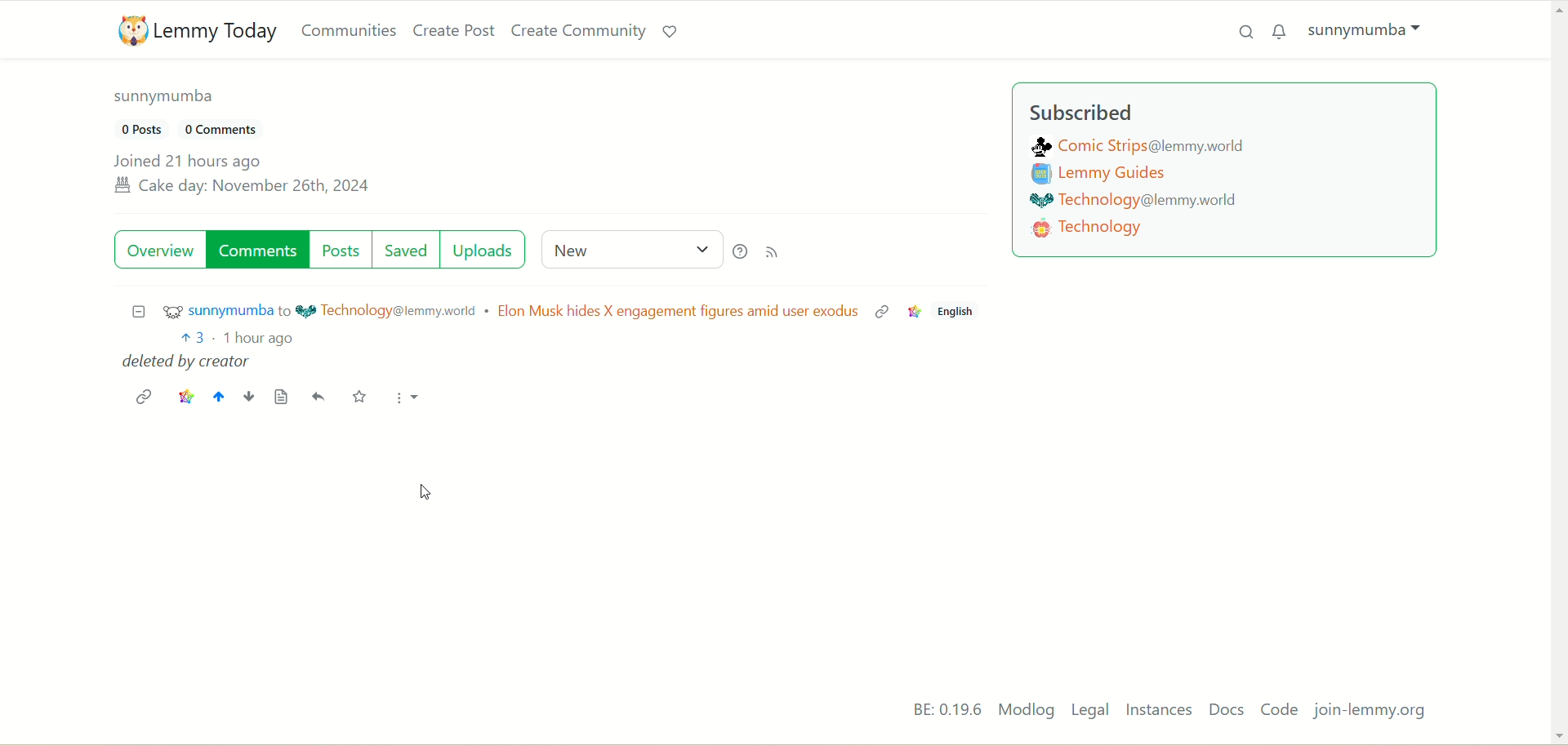  Describe the element at coordinates (1090, 711) in the screenshot. I see `Legal` at that location.